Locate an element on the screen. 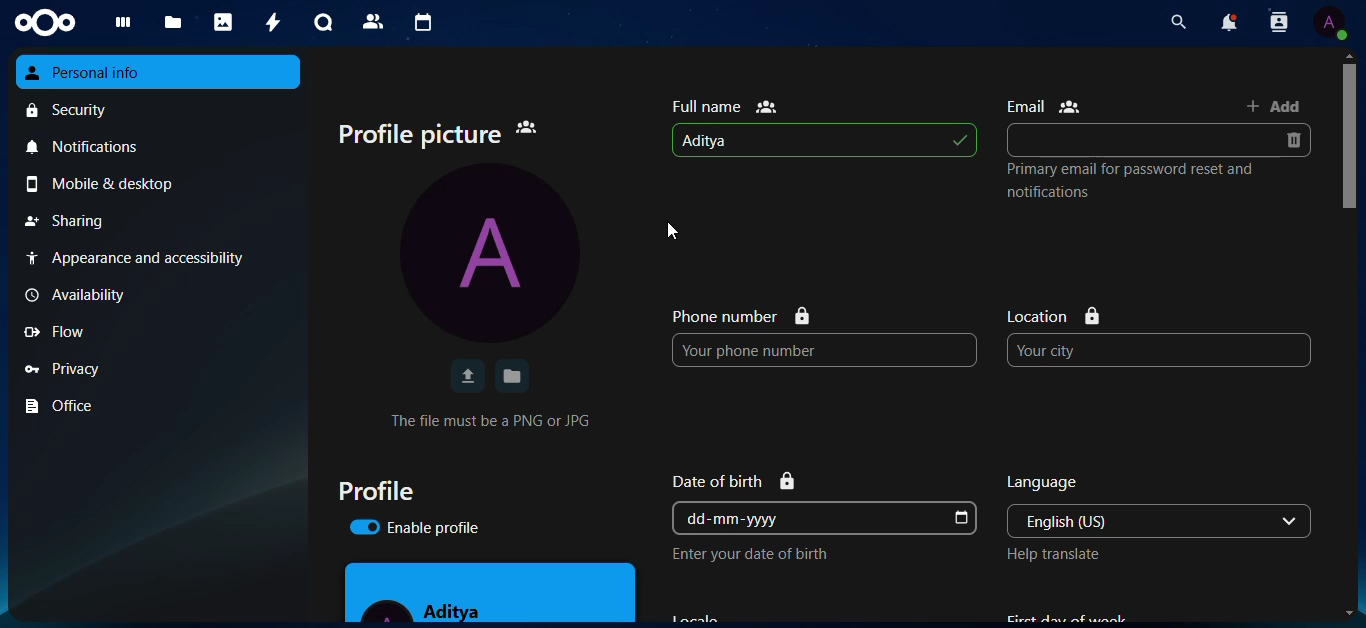  upload is located at coordinates (466, 376).